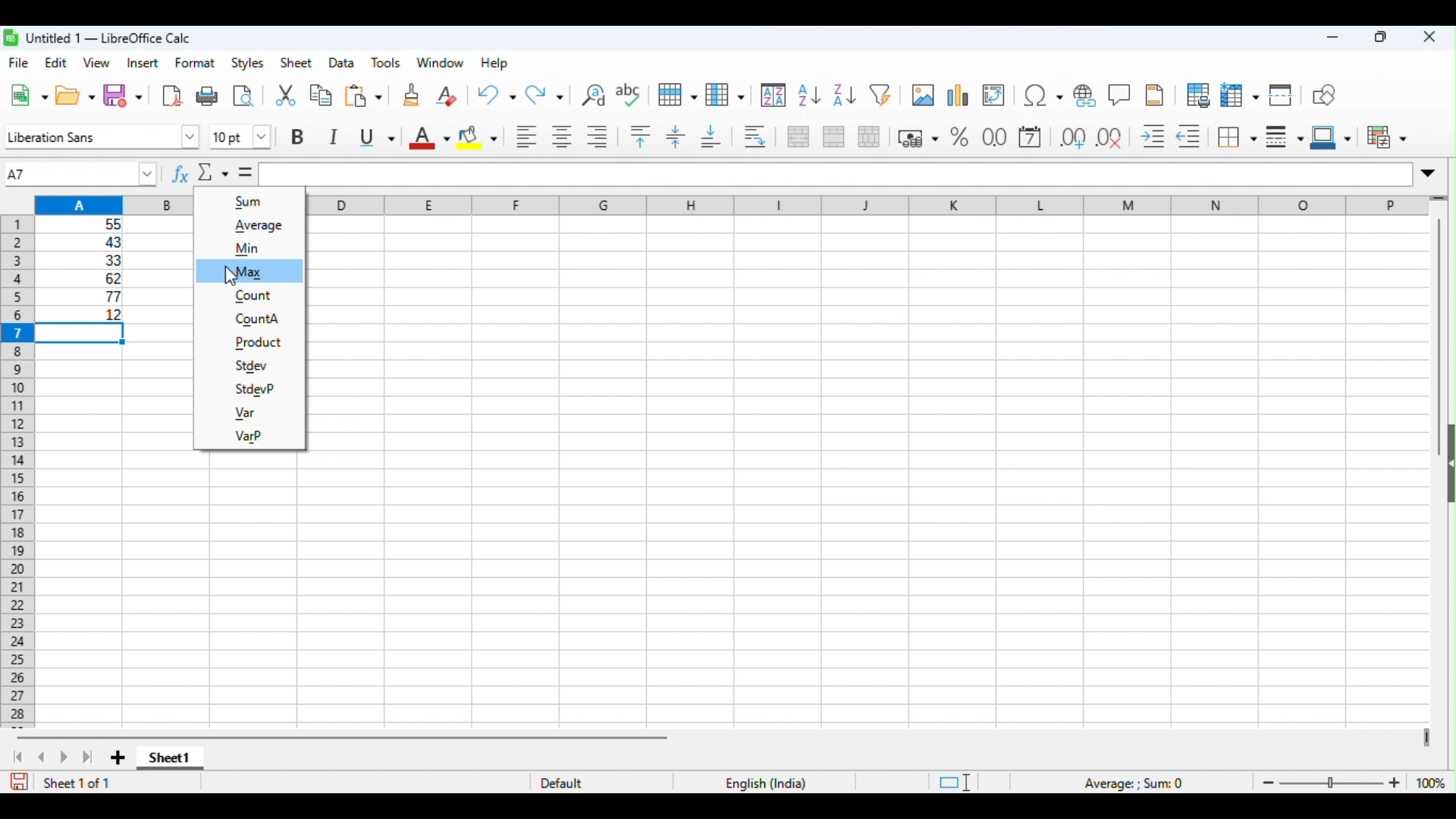 The width and height of the screenshot is (1456, 819). Describe the element at coordinates (55, 62) in the screenshot. I see `edit` at that location.